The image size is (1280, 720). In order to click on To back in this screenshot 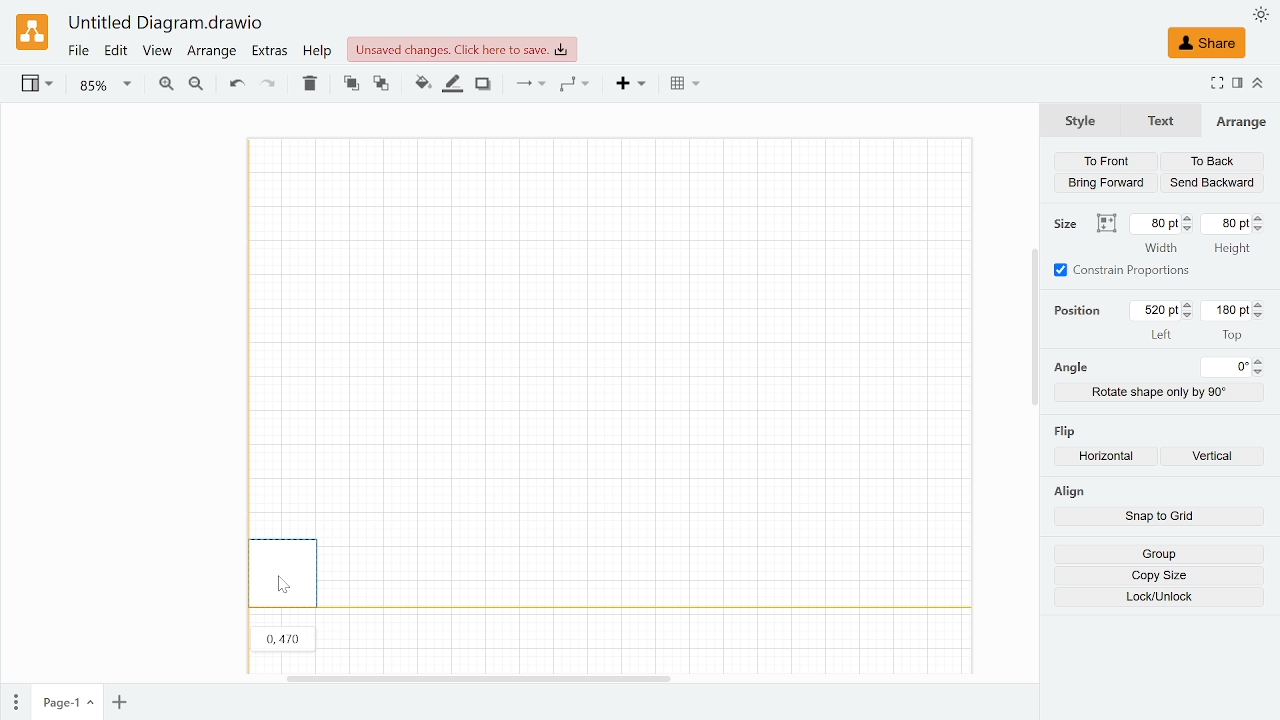, I will do `click(1212, 162)`.